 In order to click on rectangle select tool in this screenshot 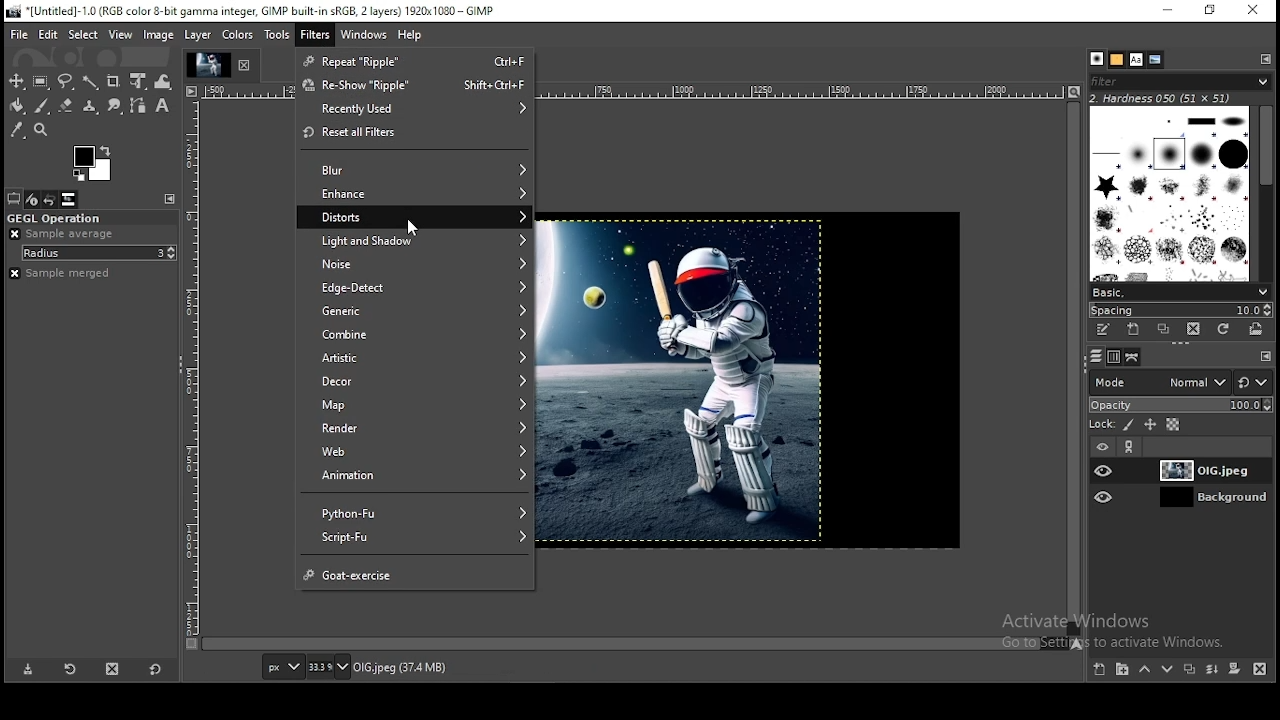, I will do `click(43, 82)`.